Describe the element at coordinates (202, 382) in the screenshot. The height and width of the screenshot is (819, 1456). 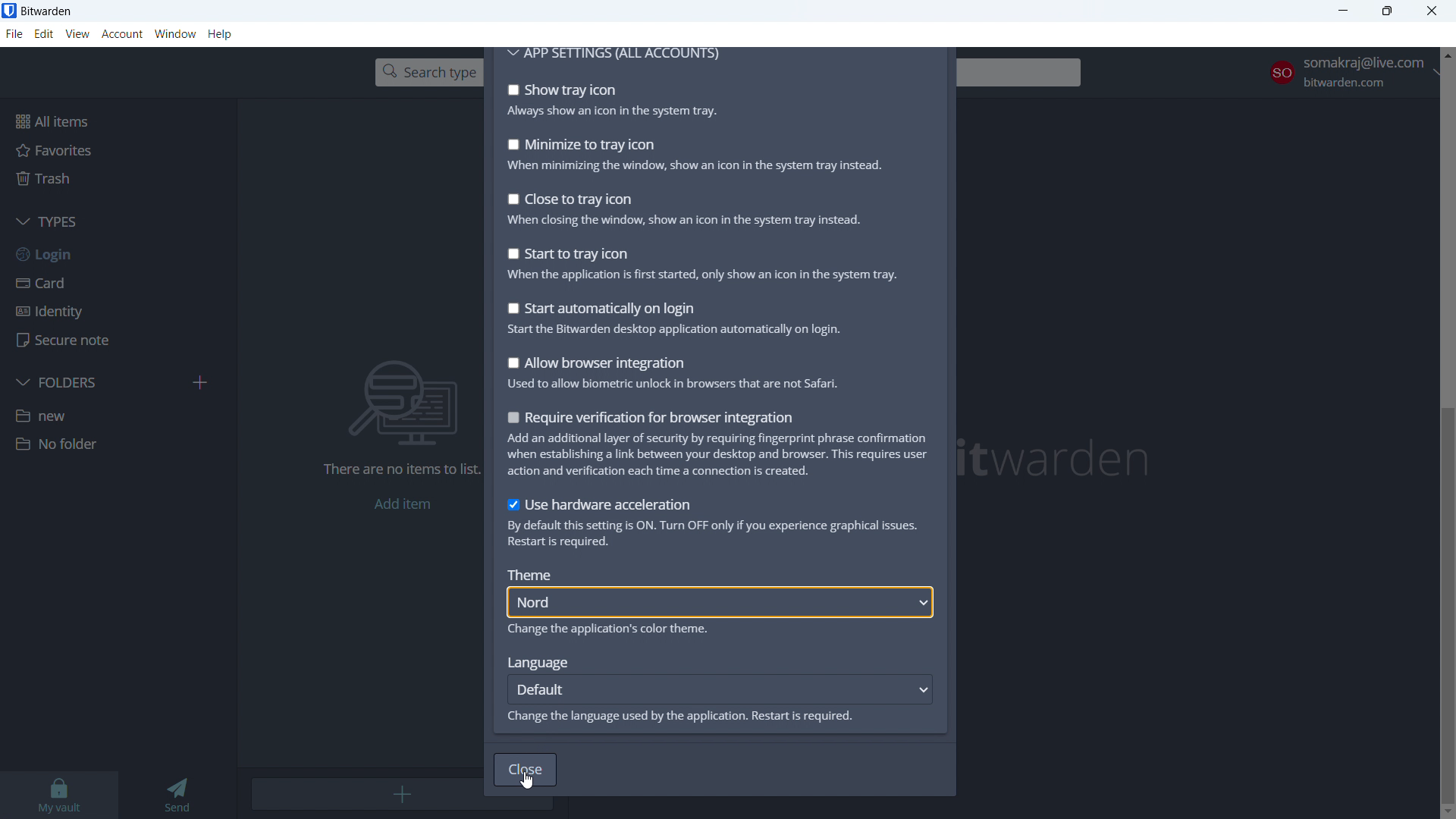
I see `add folder` at that location.